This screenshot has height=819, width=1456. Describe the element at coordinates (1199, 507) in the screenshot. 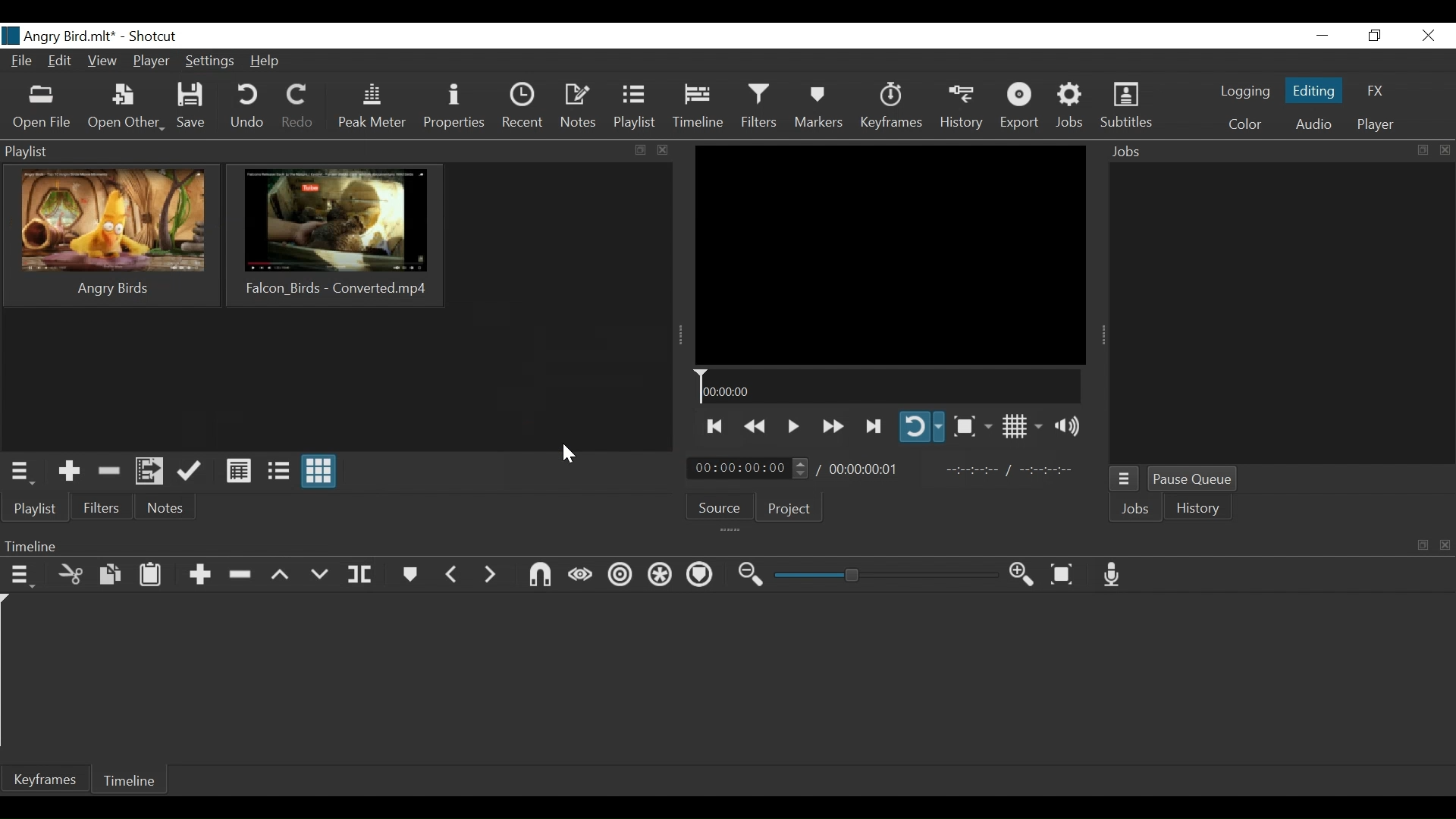

I see `History` at that location.